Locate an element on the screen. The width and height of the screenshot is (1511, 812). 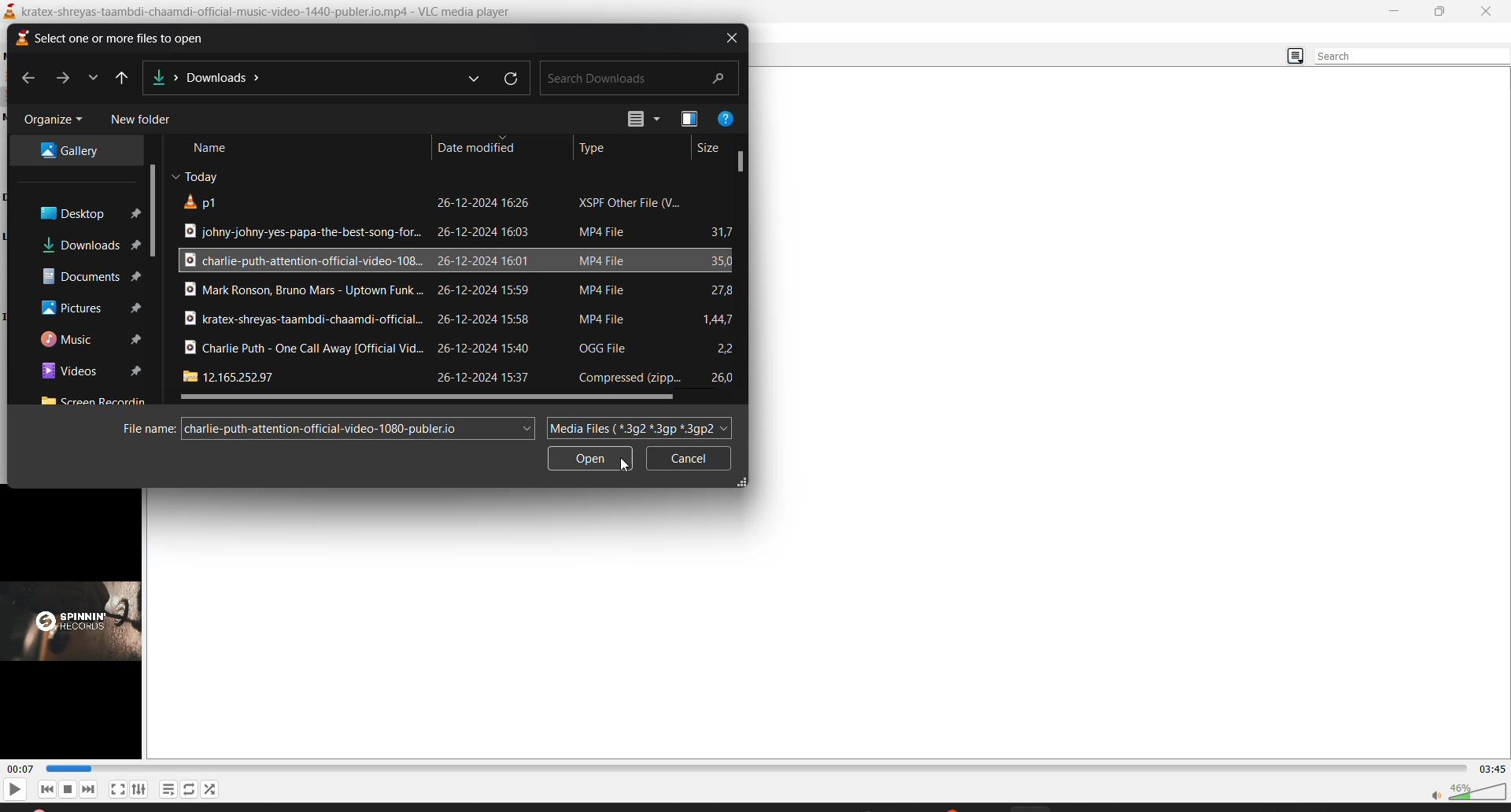
change view is located at coordinates (688, 120).